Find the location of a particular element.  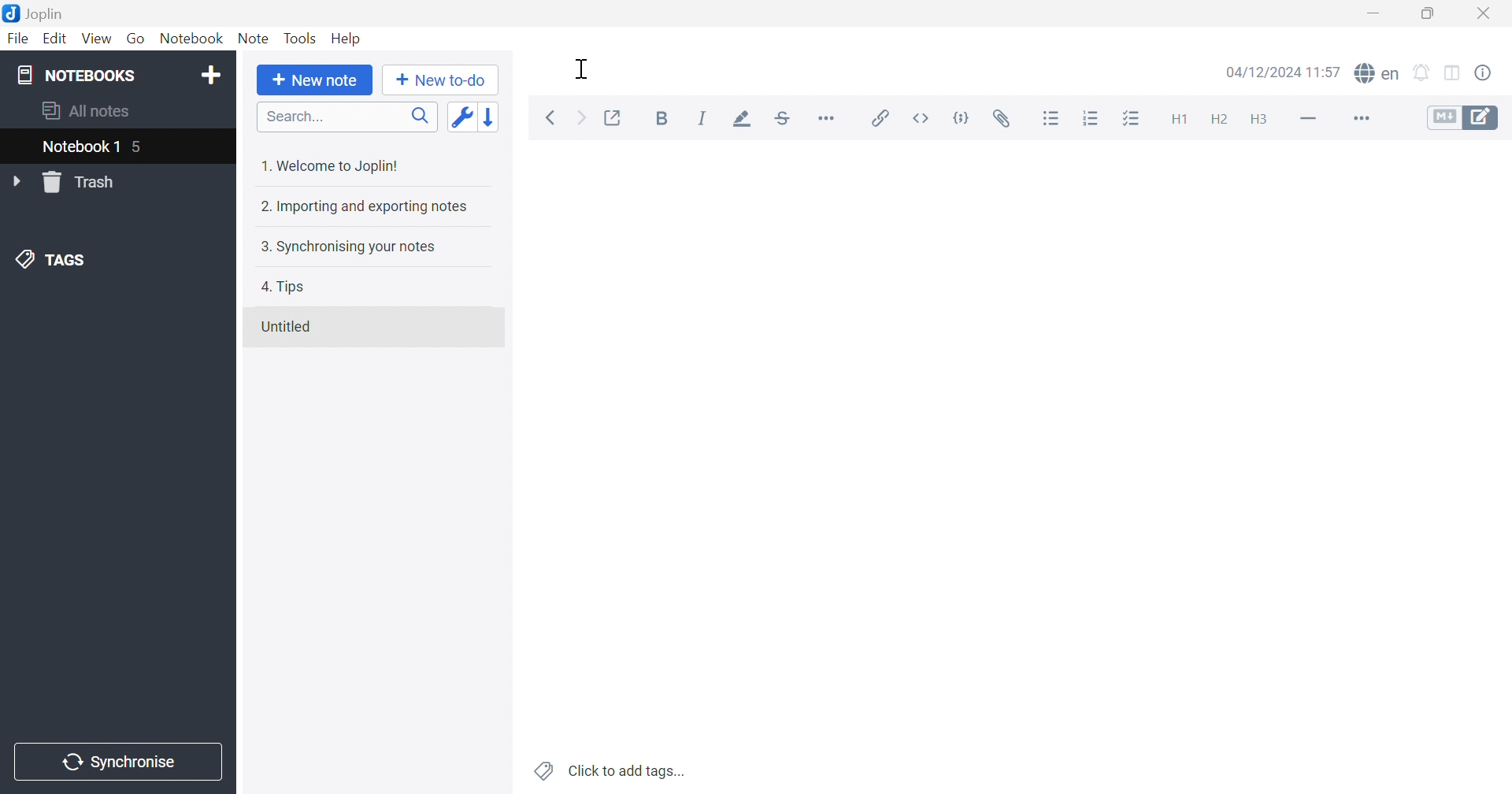

Search is located at coordinates (348, 117).